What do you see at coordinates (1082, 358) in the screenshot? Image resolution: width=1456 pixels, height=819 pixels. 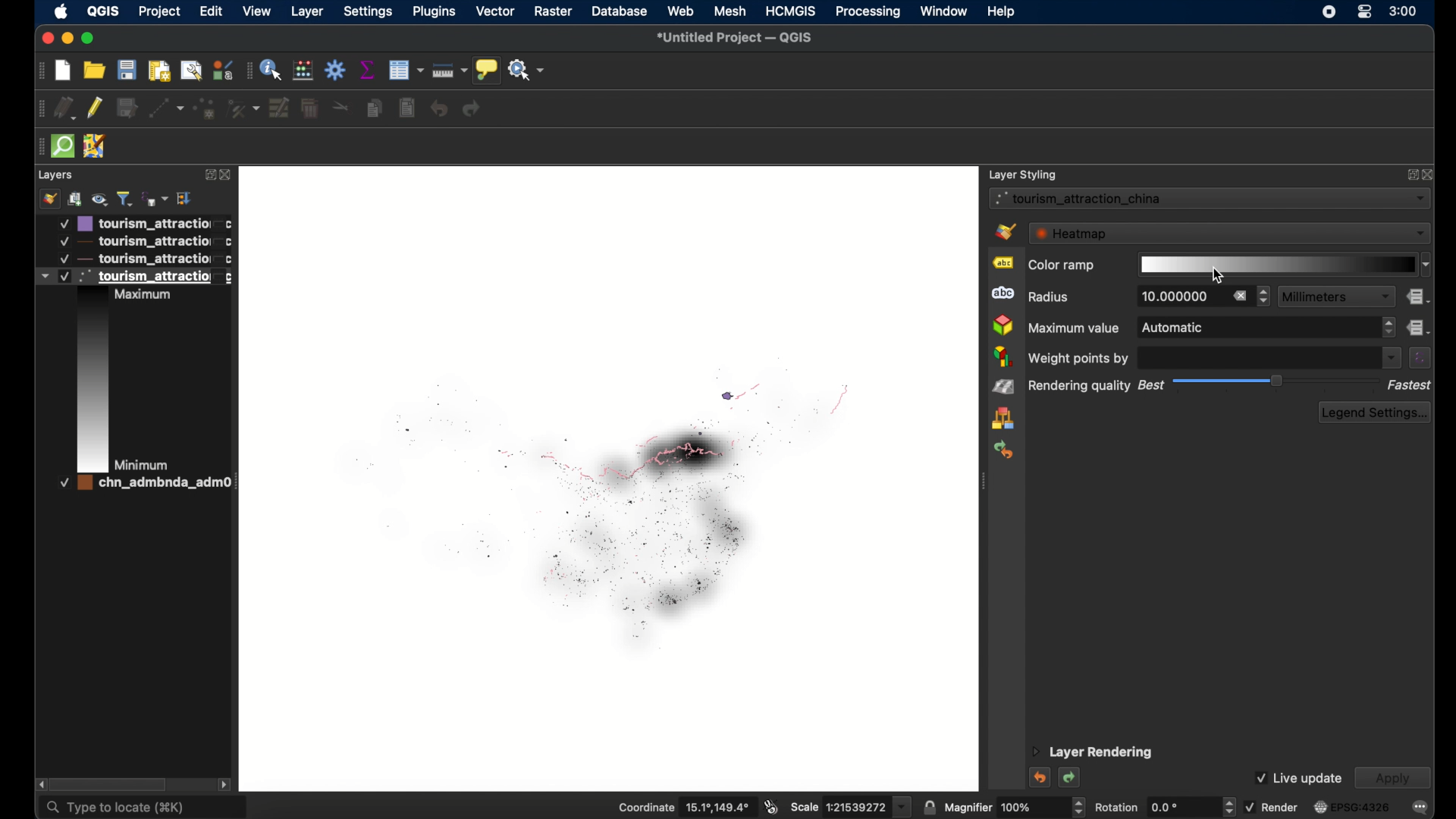 I see `weight points by` at bounding box center [1082, 358].